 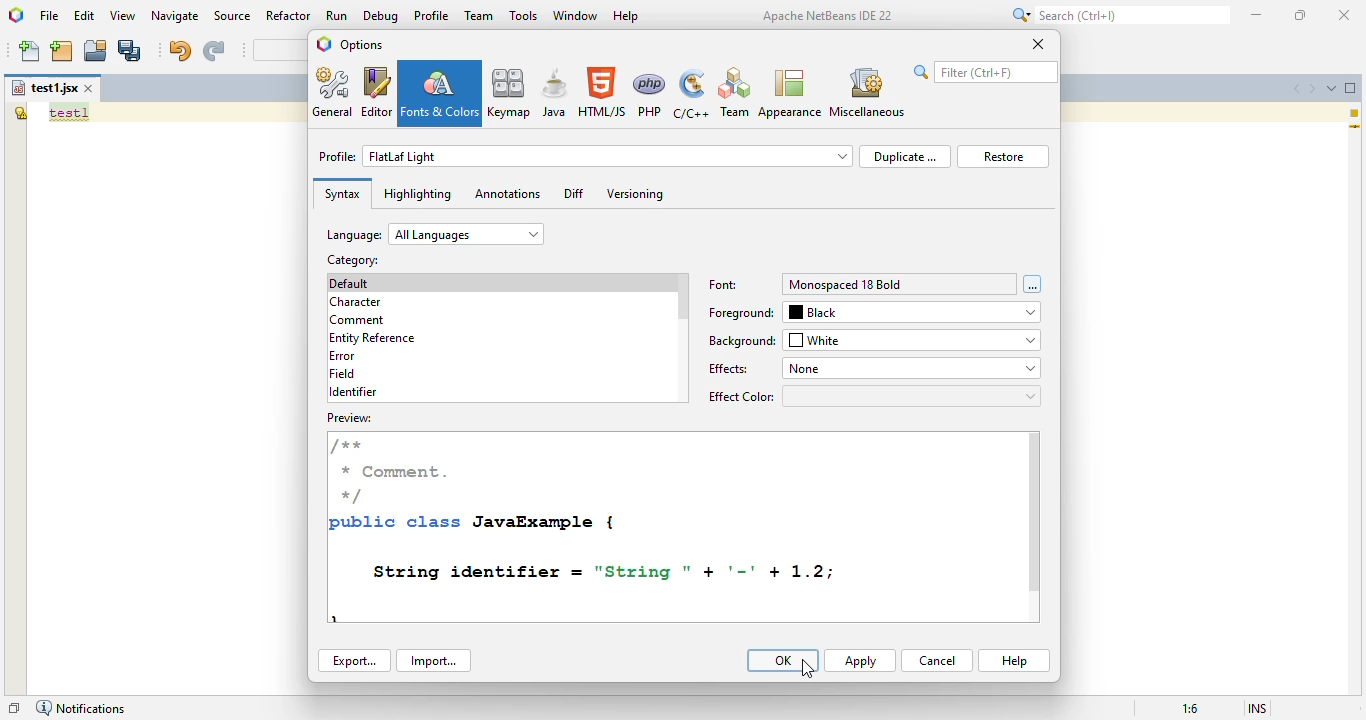 What do you see at coordinates (382, 16) in the screenshot?
I see `debug` at bounding box center [382, 16].